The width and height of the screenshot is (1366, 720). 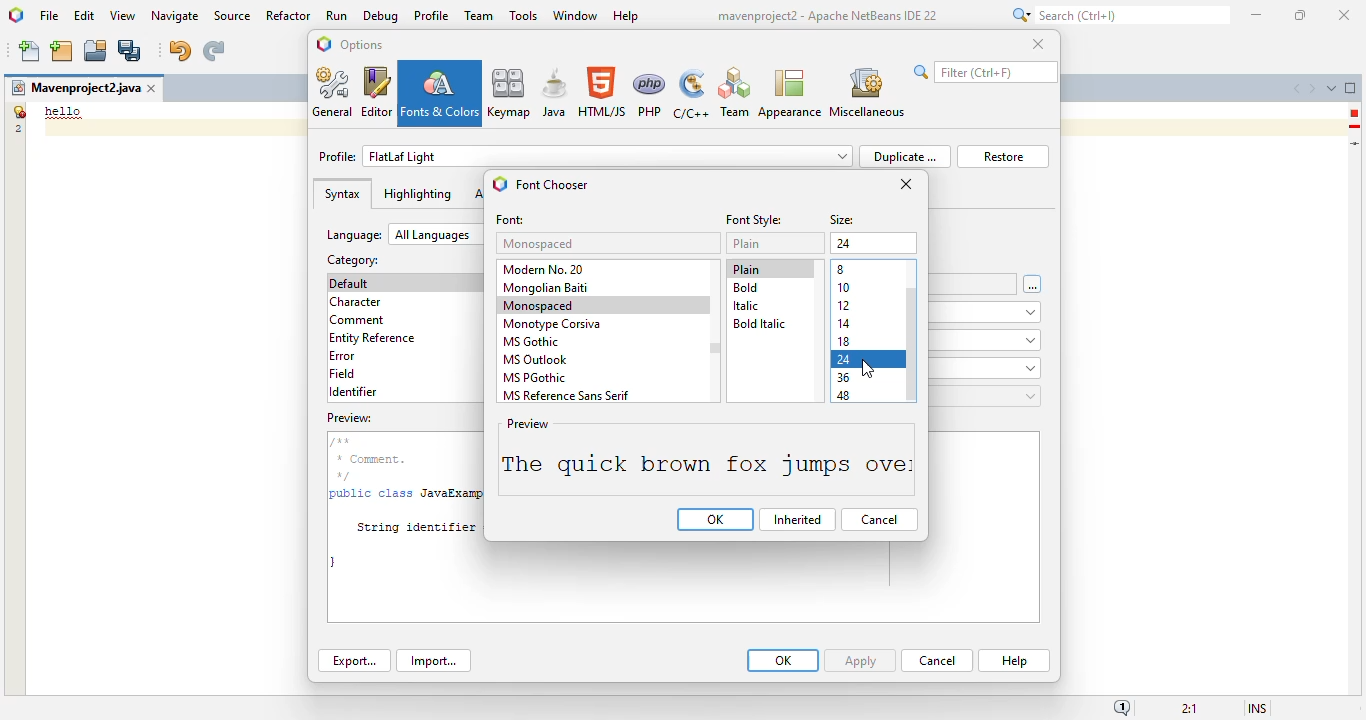 I want to click on error, so click(x=342, y=356).